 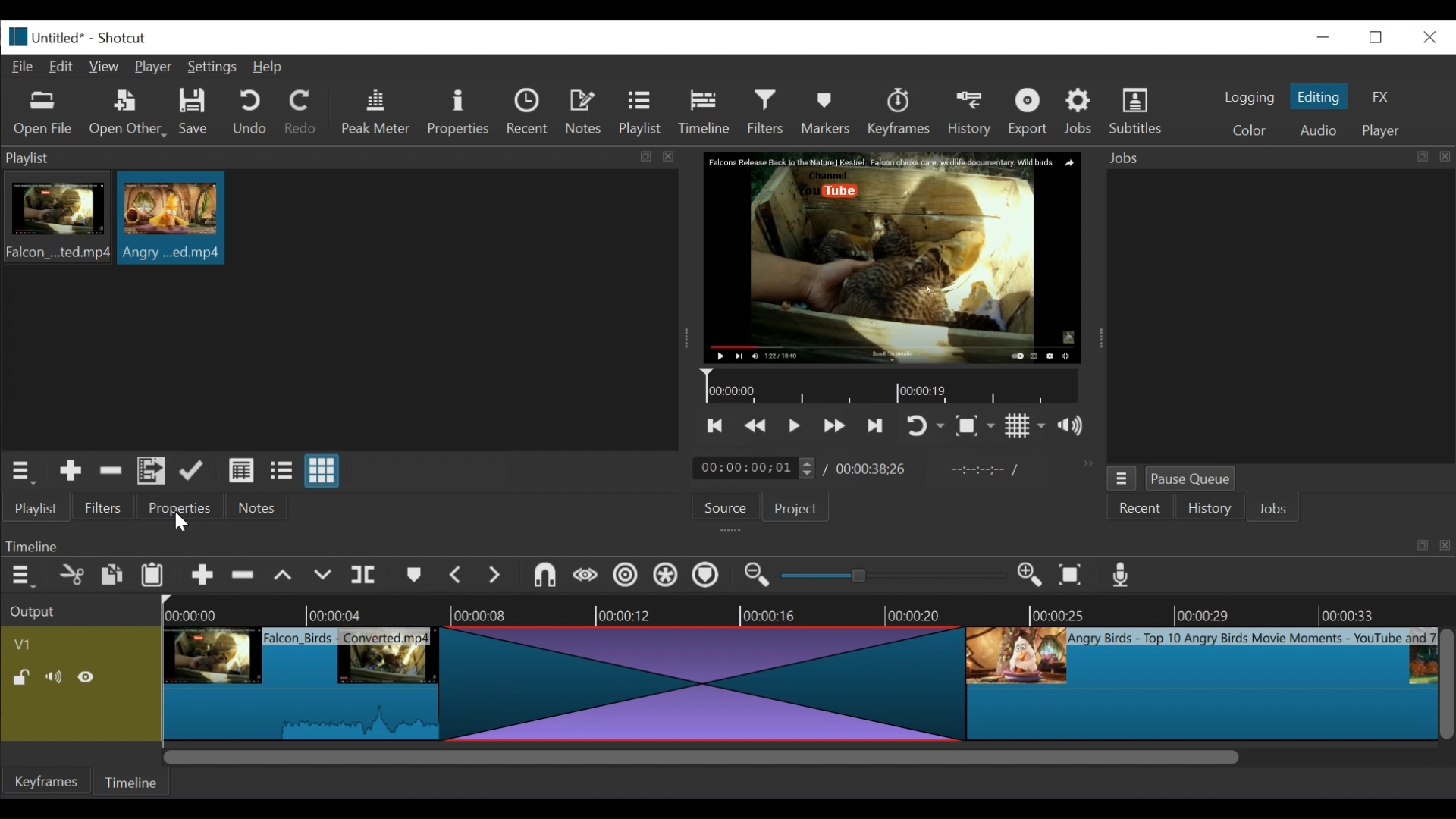 I want to click on Append, so click(x=202, y=579).